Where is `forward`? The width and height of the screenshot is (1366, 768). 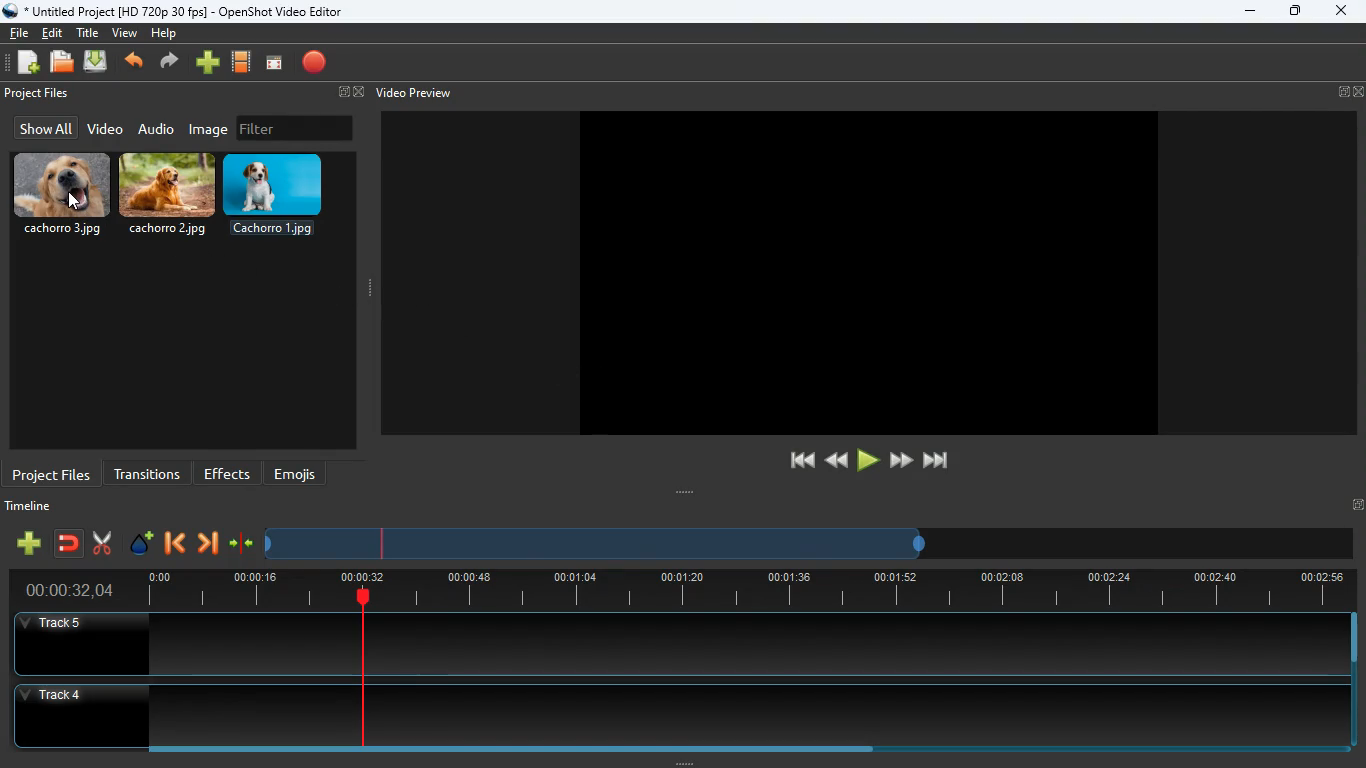
forward is located at coordinates (207, 545).